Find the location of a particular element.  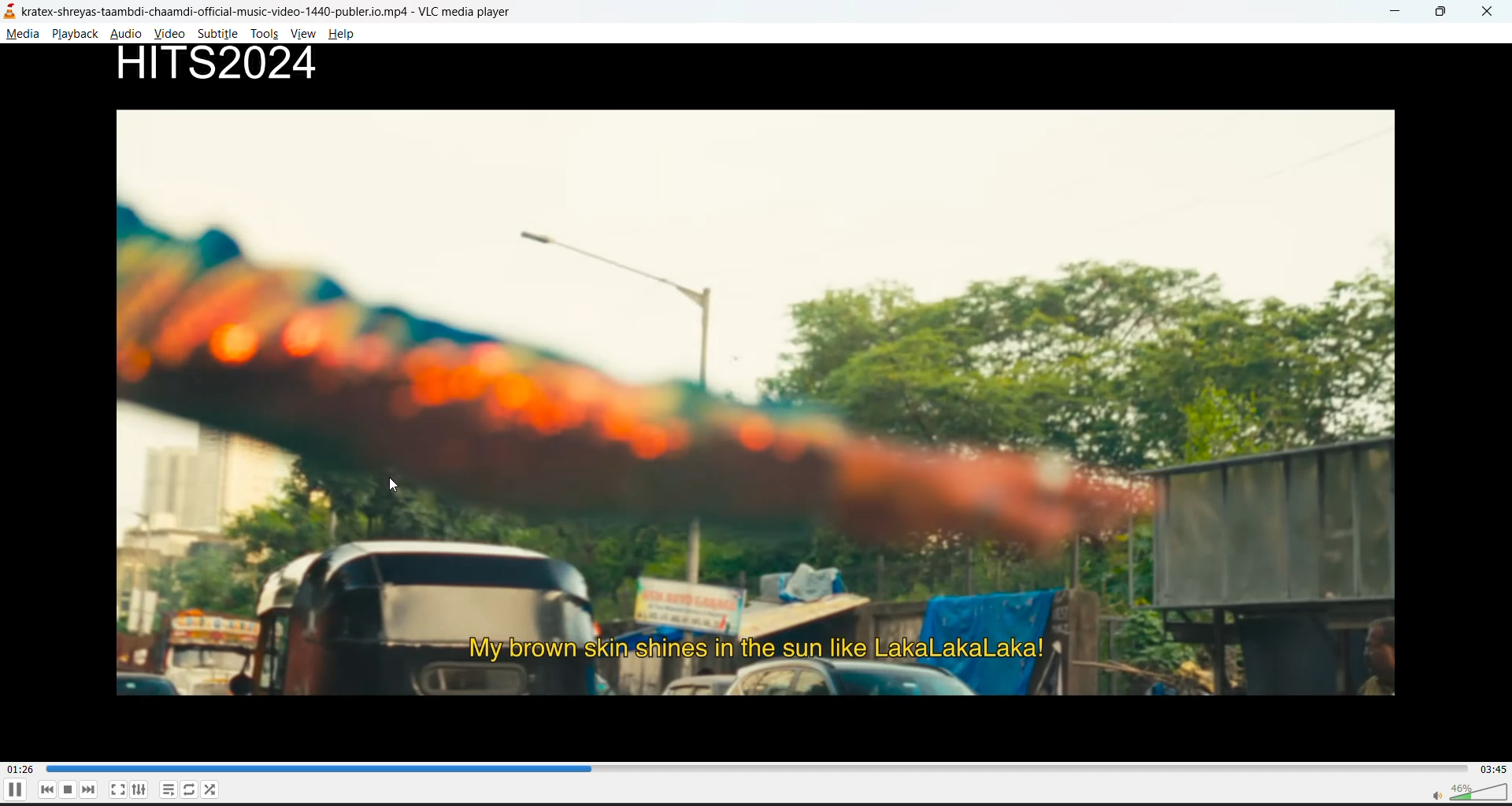

loop is located at coordinates (187, 790).